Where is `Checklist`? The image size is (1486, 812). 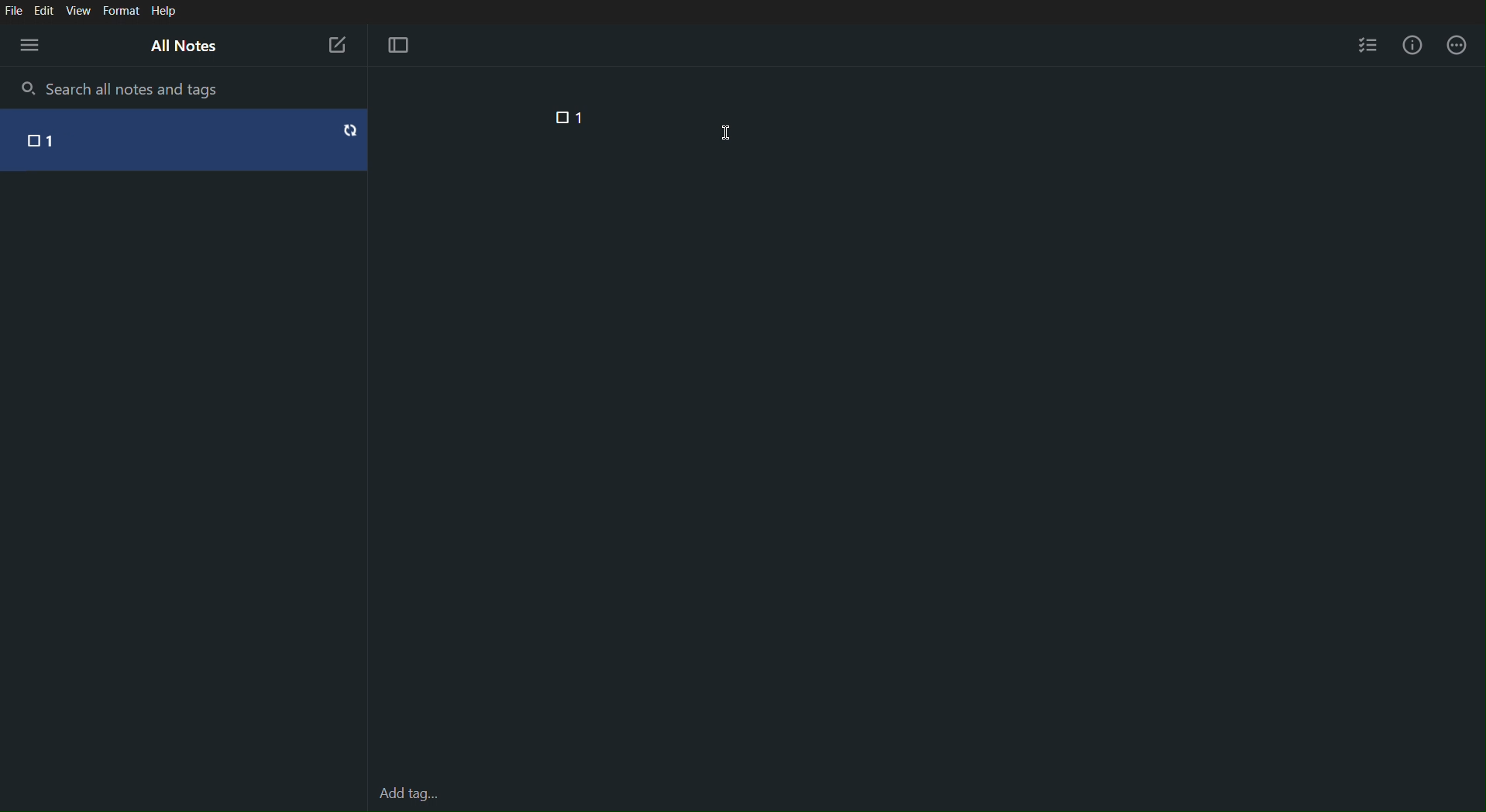
Checklist is located at coordinates (1367, 43).